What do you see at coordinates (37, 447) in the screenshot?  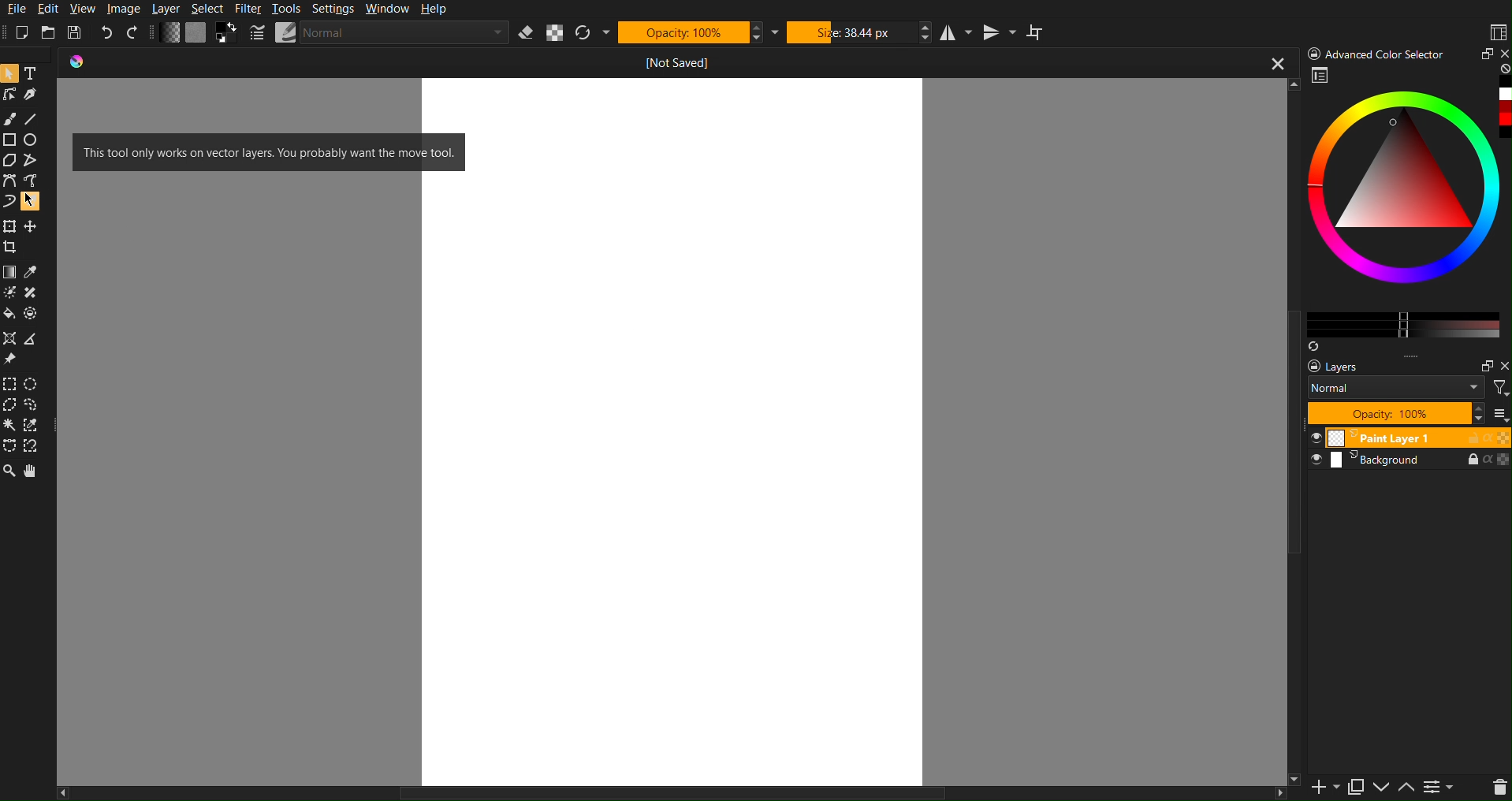 I see `Magnetic Selection Tool` at bounding box center [37, 447].